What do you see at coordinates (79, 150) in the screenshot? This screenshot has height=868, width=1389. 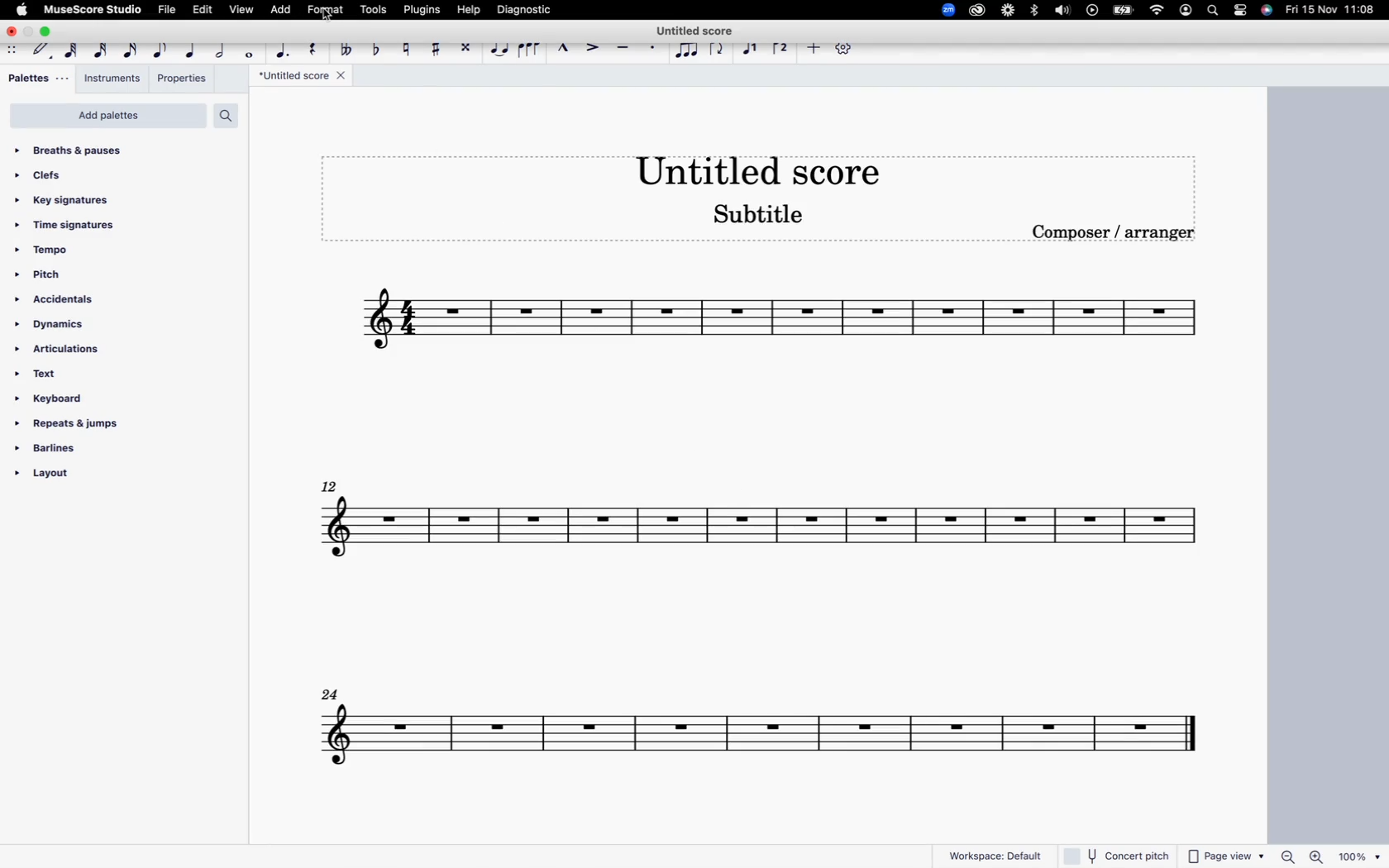 I see `breaths & pauses` at bounding box center [79, 150].